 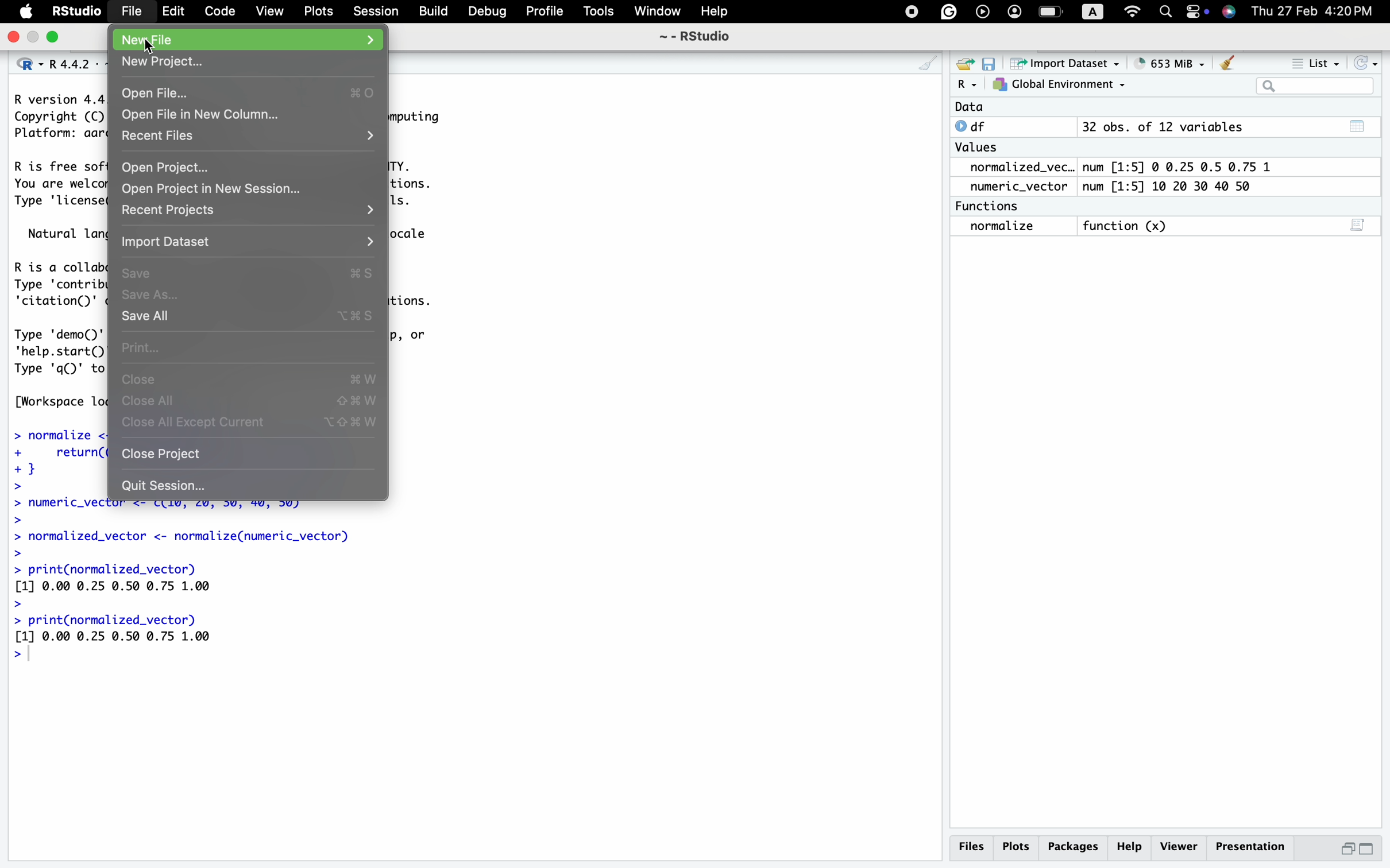 I want to click on List, so click(x=1318, y=65).